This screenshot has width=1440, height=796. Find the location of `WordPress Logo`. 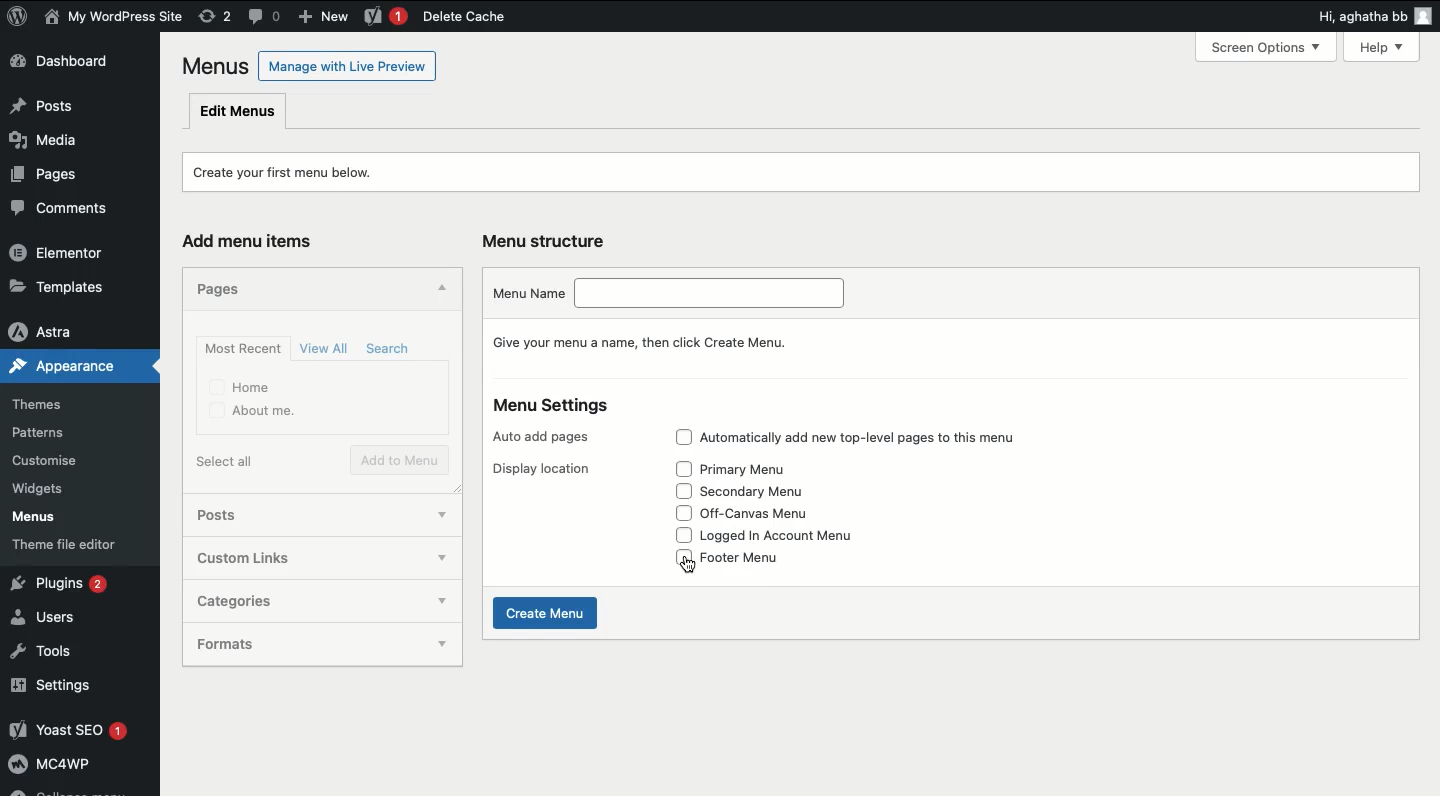

WordPress Logo is located at coordinates (18, 16).